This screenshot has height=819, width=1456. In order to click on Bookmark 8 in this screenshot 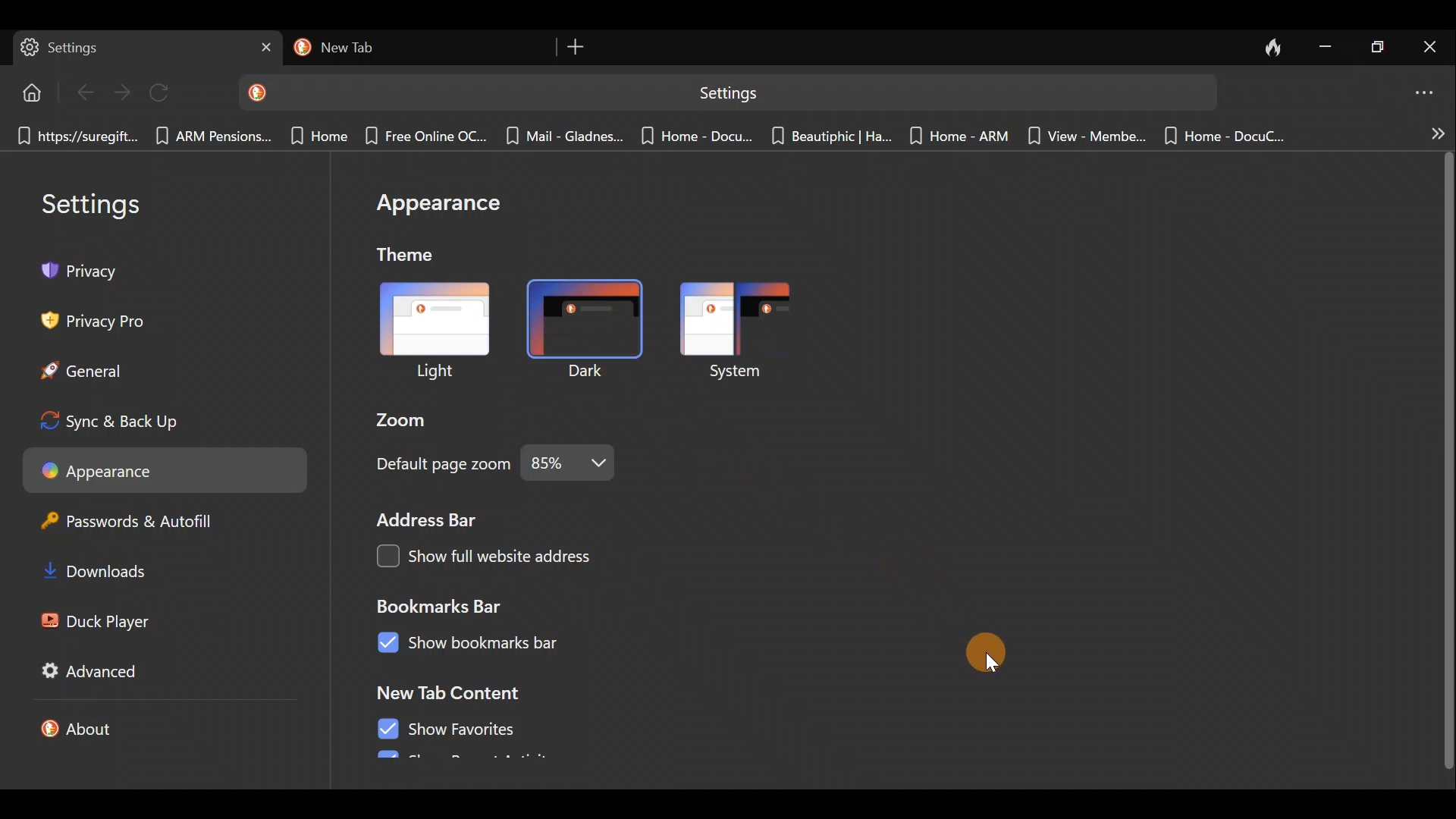, I will do `click(962, 139)`.